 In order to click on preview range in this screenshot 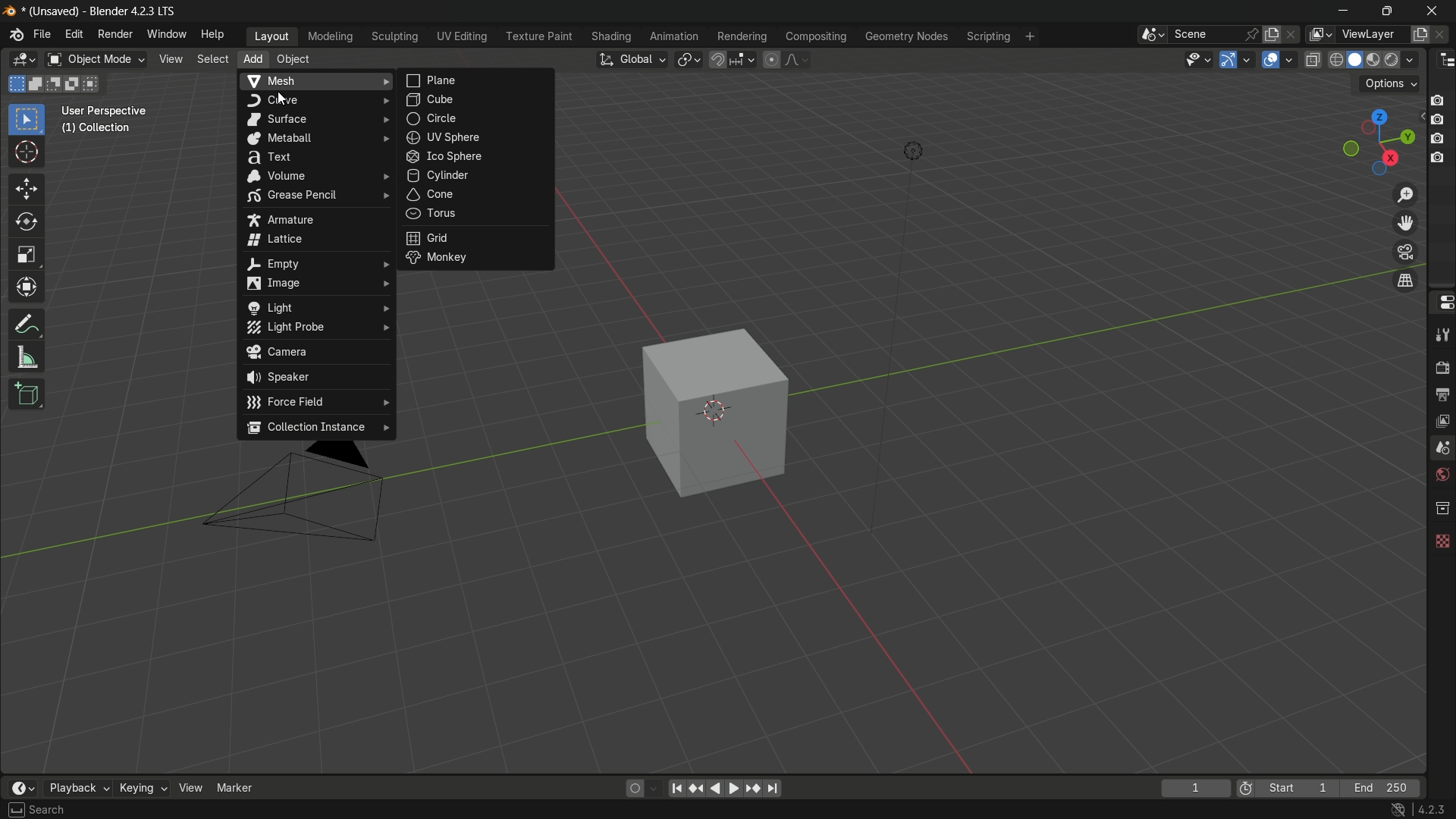, I will do `click(1246, 787)`.